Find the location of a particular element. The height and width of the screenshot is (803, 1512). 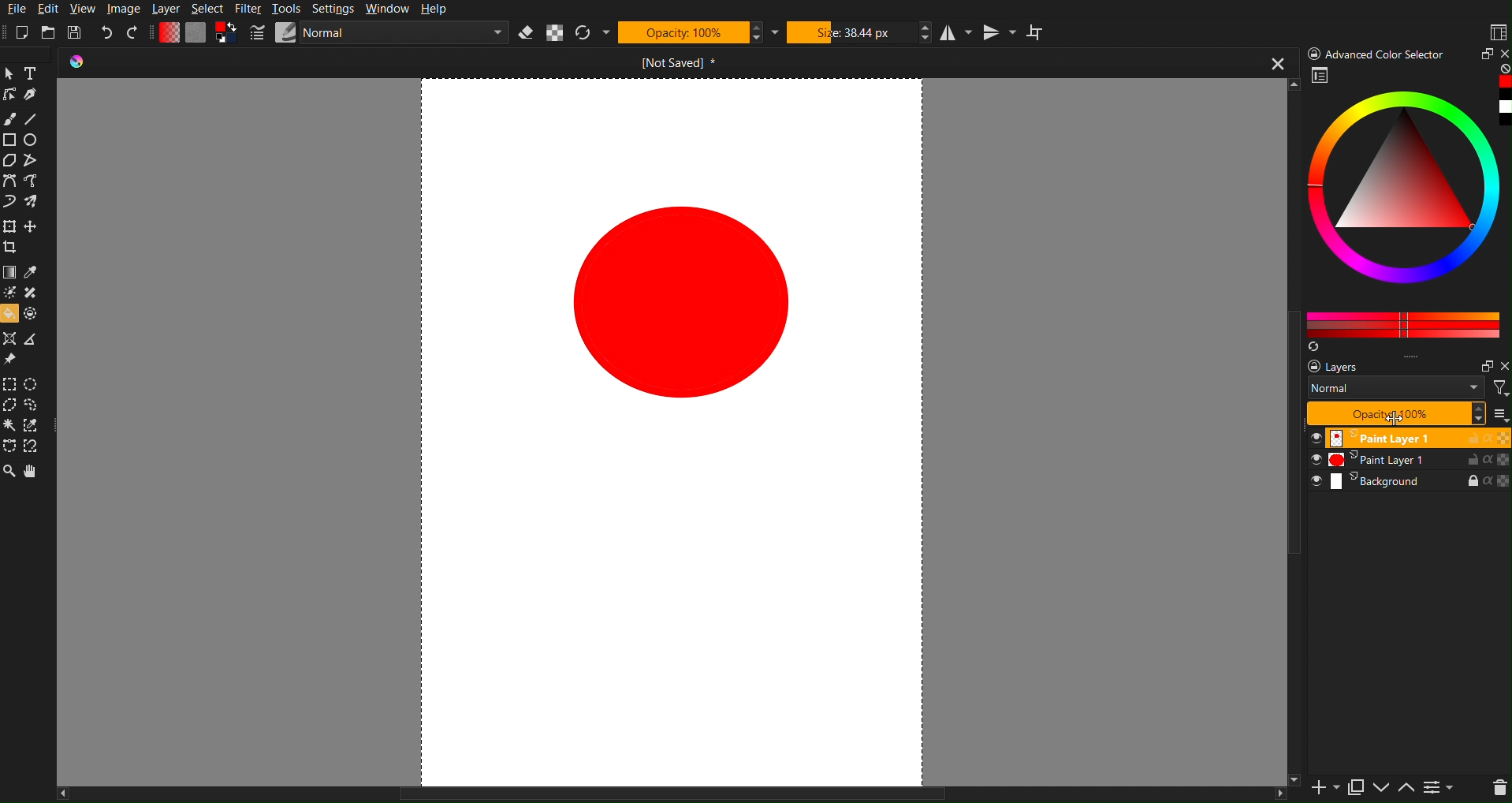

Size 38.44 is located at coordinates (858, 33).